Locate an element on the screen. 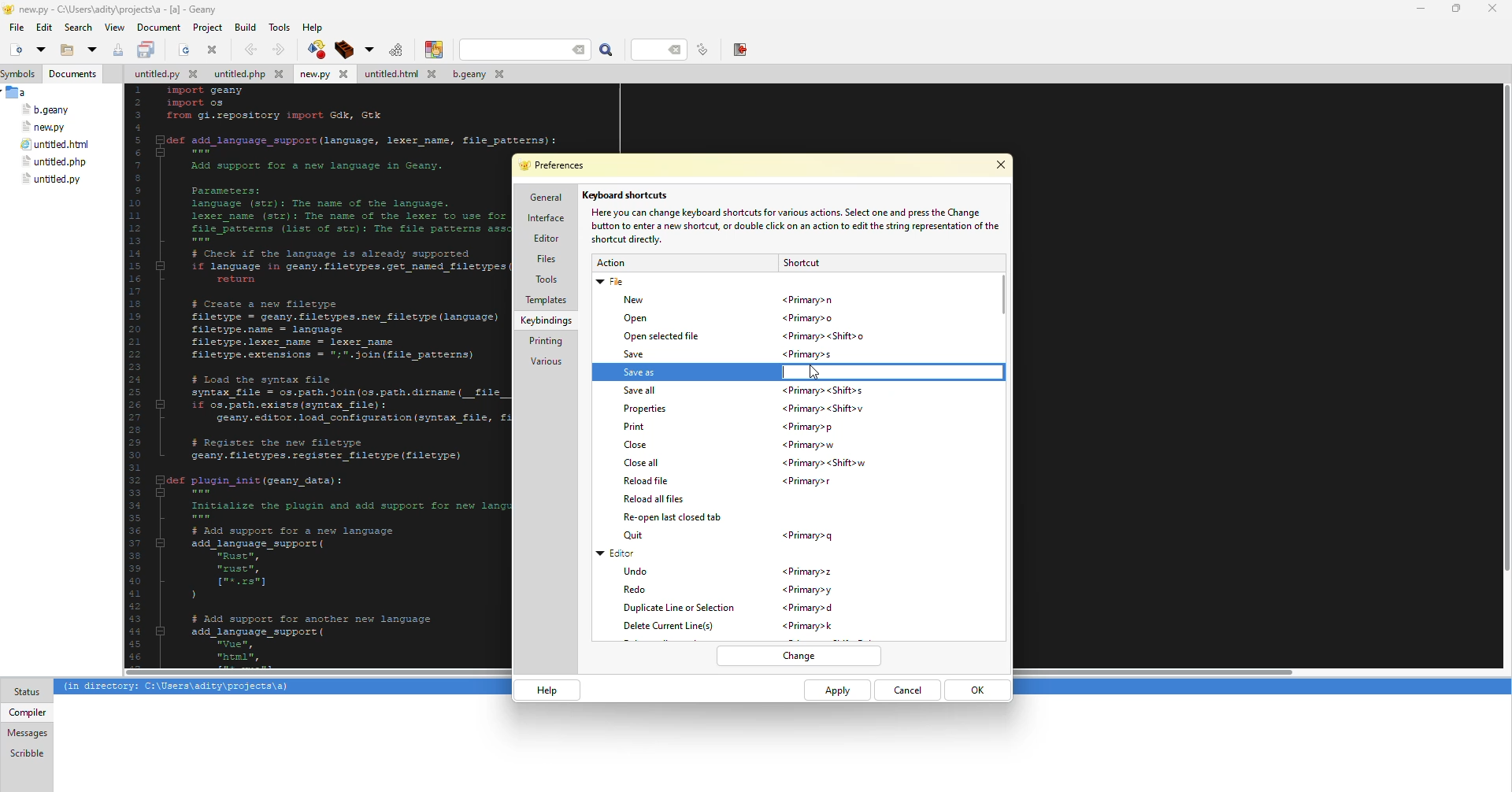 The width and height of the screenshot is (1512, 792). file is located at coordinates (17, 28).